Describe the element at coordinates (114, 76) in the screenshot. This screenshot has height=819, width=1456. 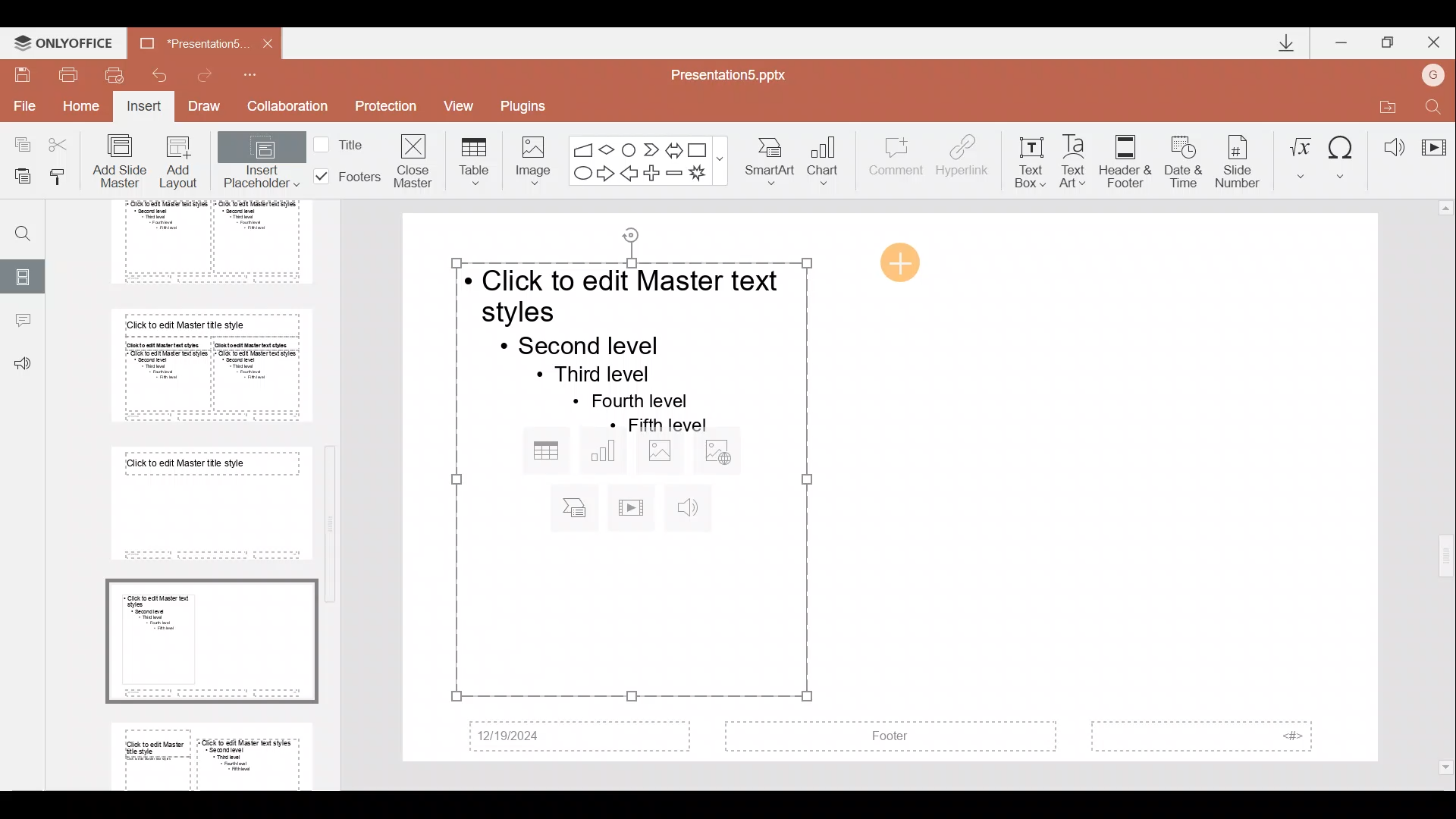
I see `Quick print` at that location.